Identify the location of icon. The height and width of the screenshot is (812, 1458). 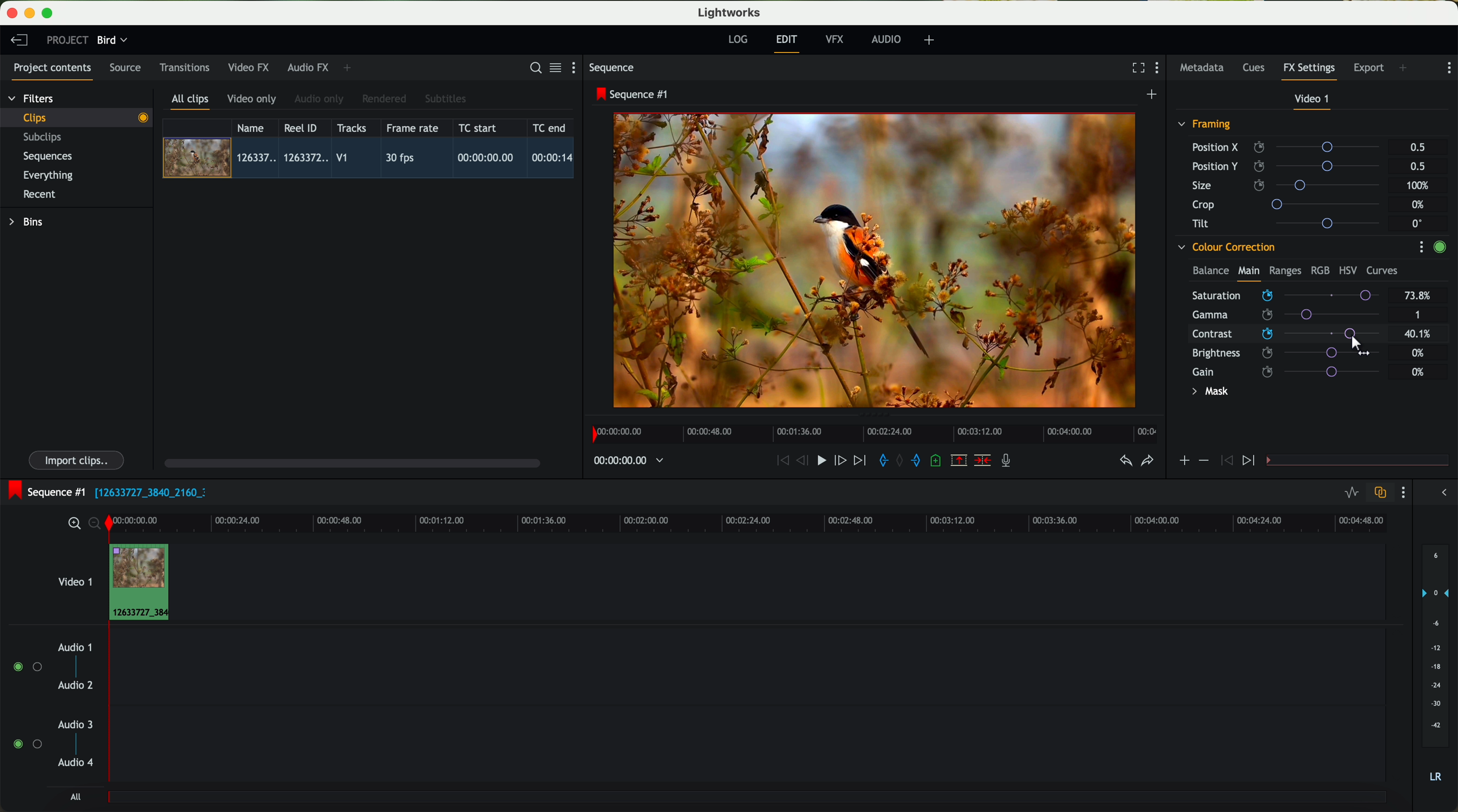
(1225, 461).